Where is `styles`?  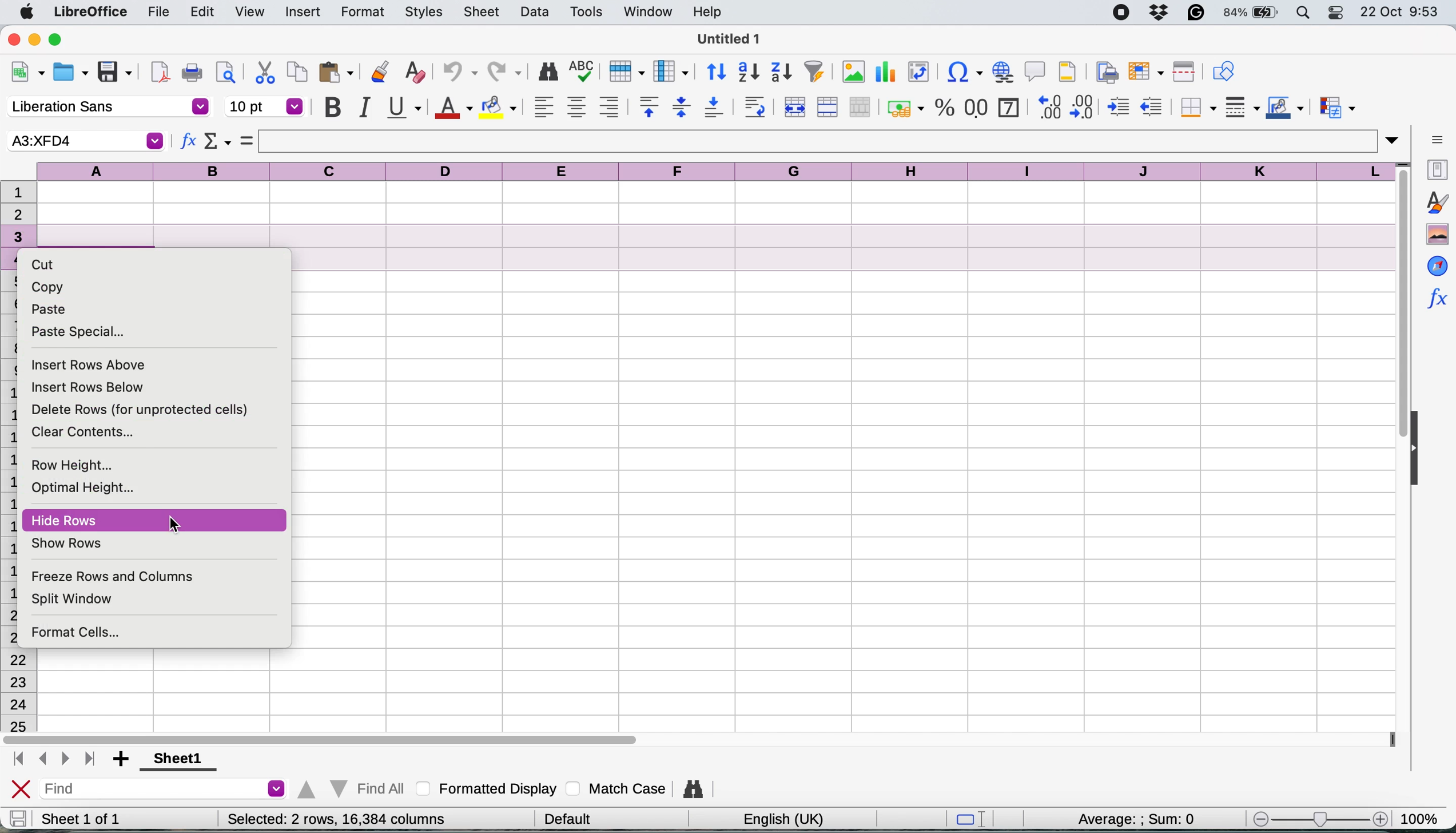 styles is located at coordinates (424, 13).